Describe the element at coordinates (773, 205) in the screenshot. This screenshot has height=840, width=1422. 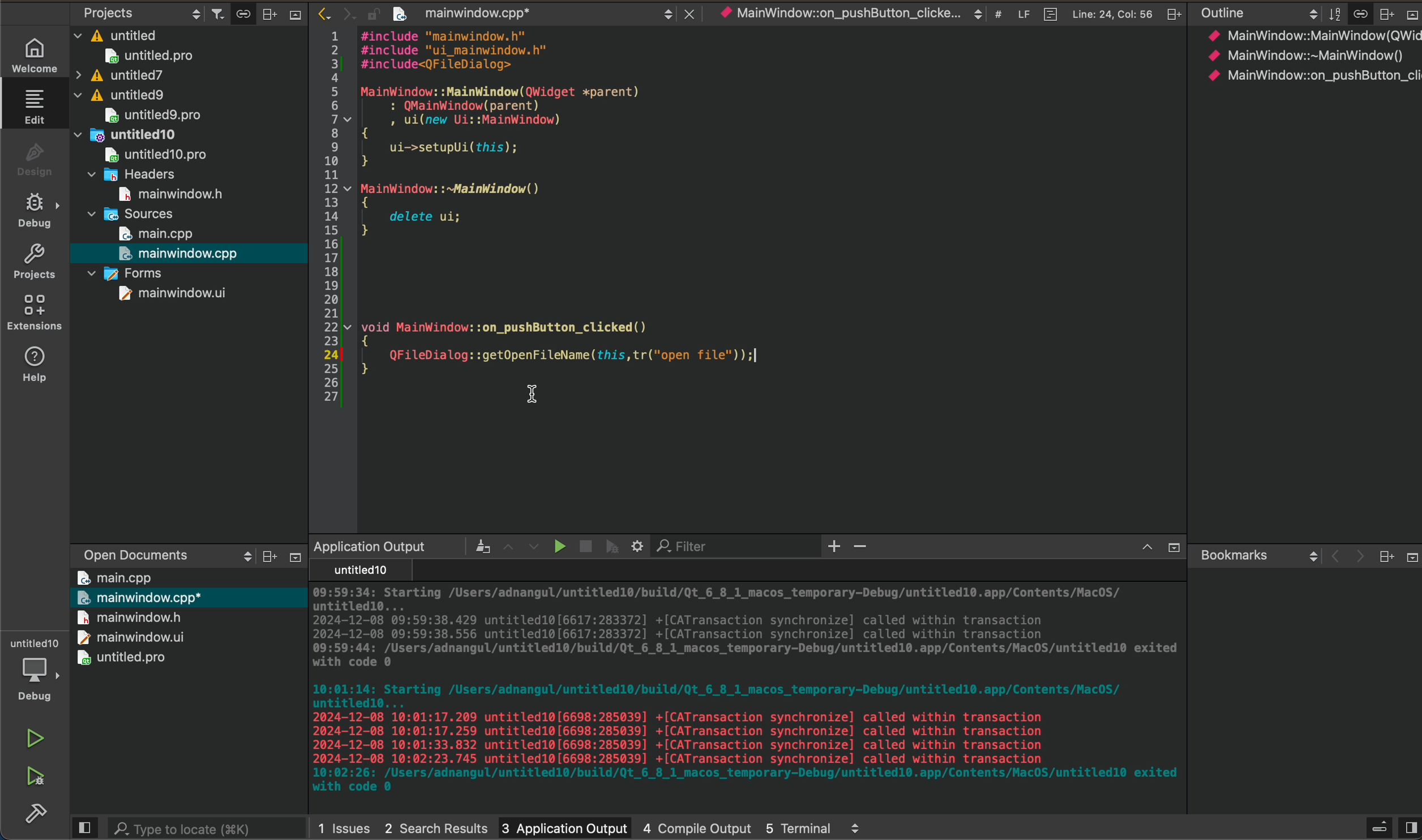
I see `file content` at that location.